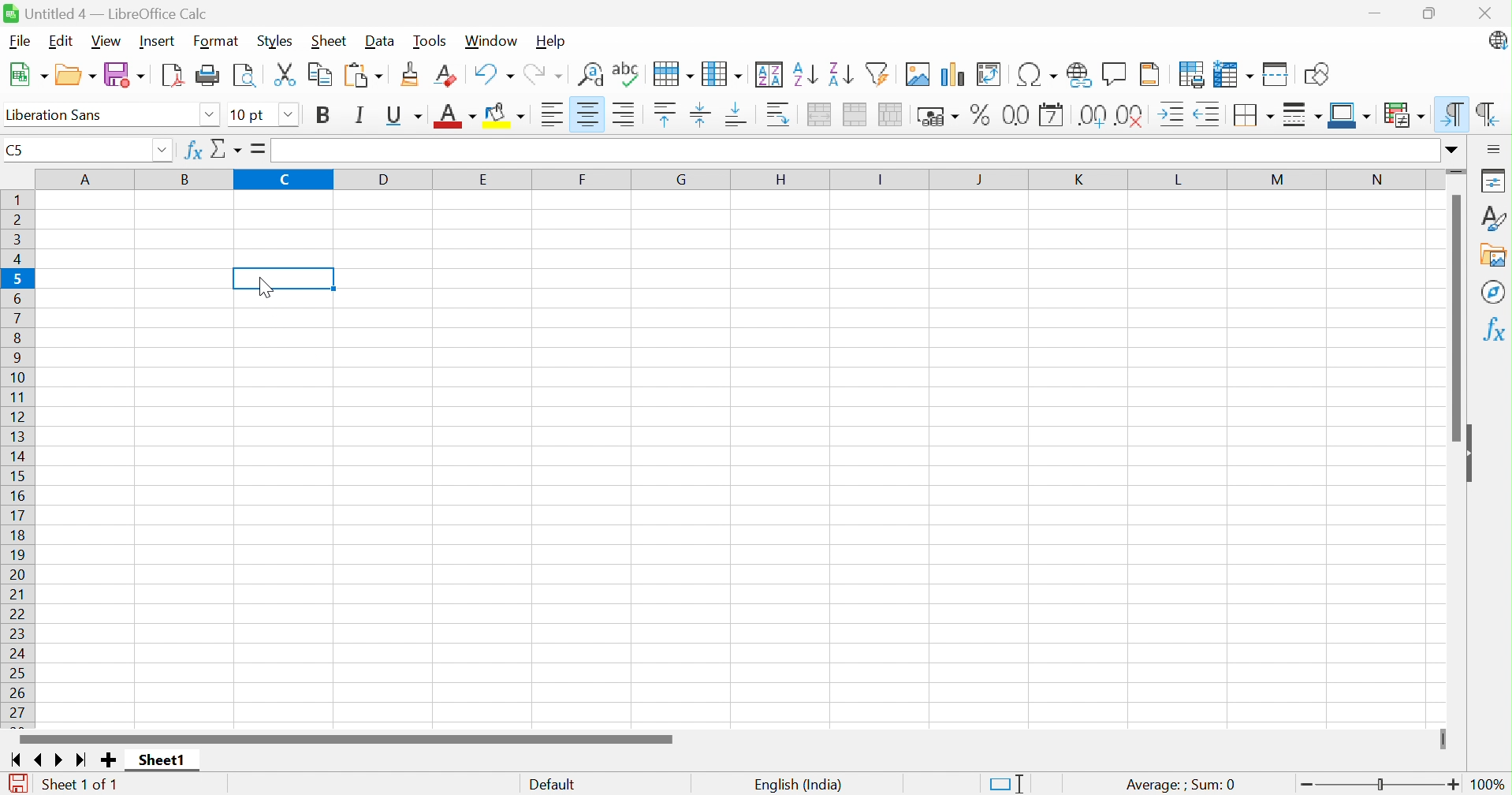 This screenshot has width=1512, height=795. I want to click on Sheet, so click(329, 41).